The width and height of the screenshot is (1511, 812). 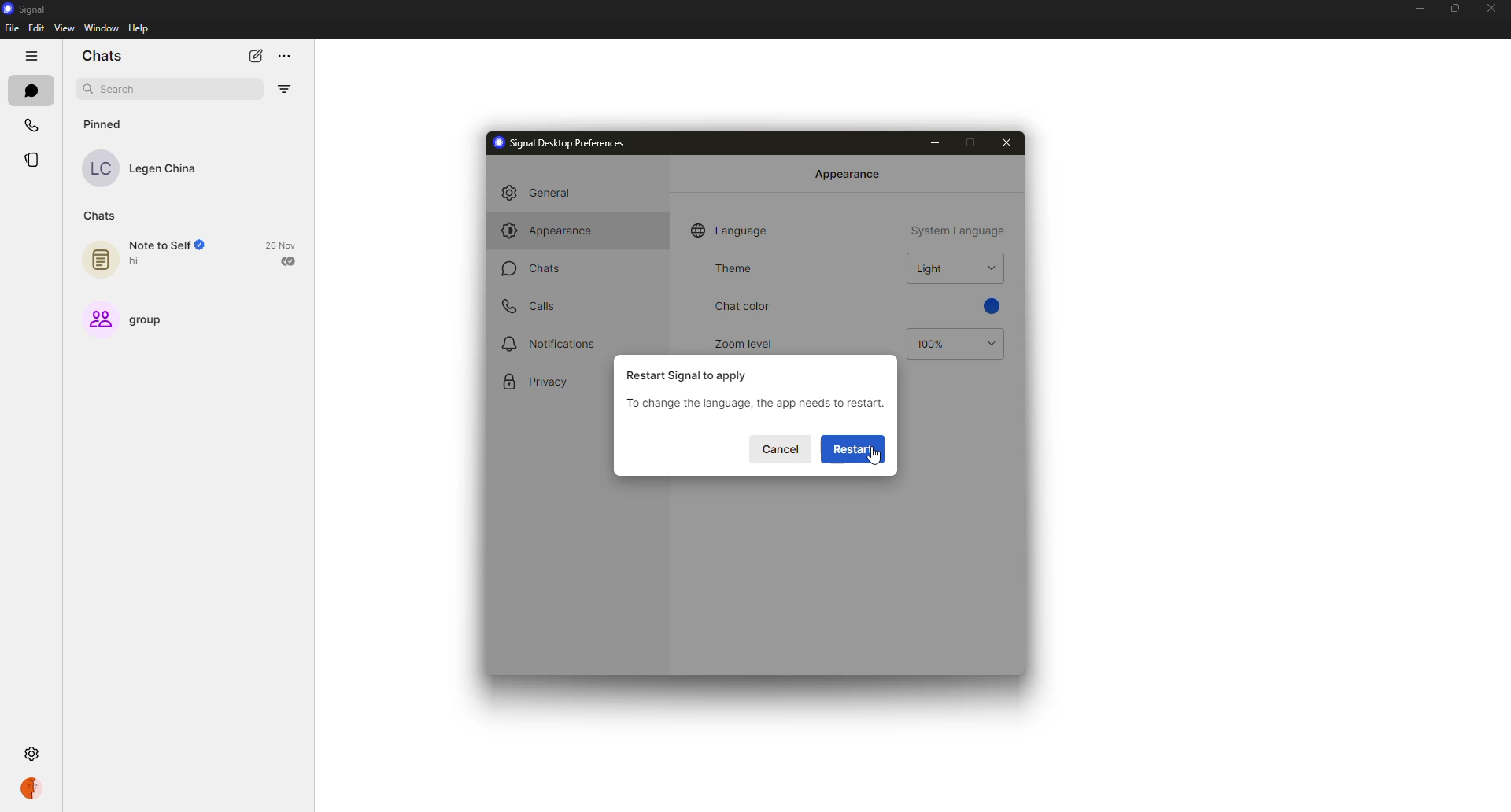 I want to click on 100, so click(x=934, y=344).